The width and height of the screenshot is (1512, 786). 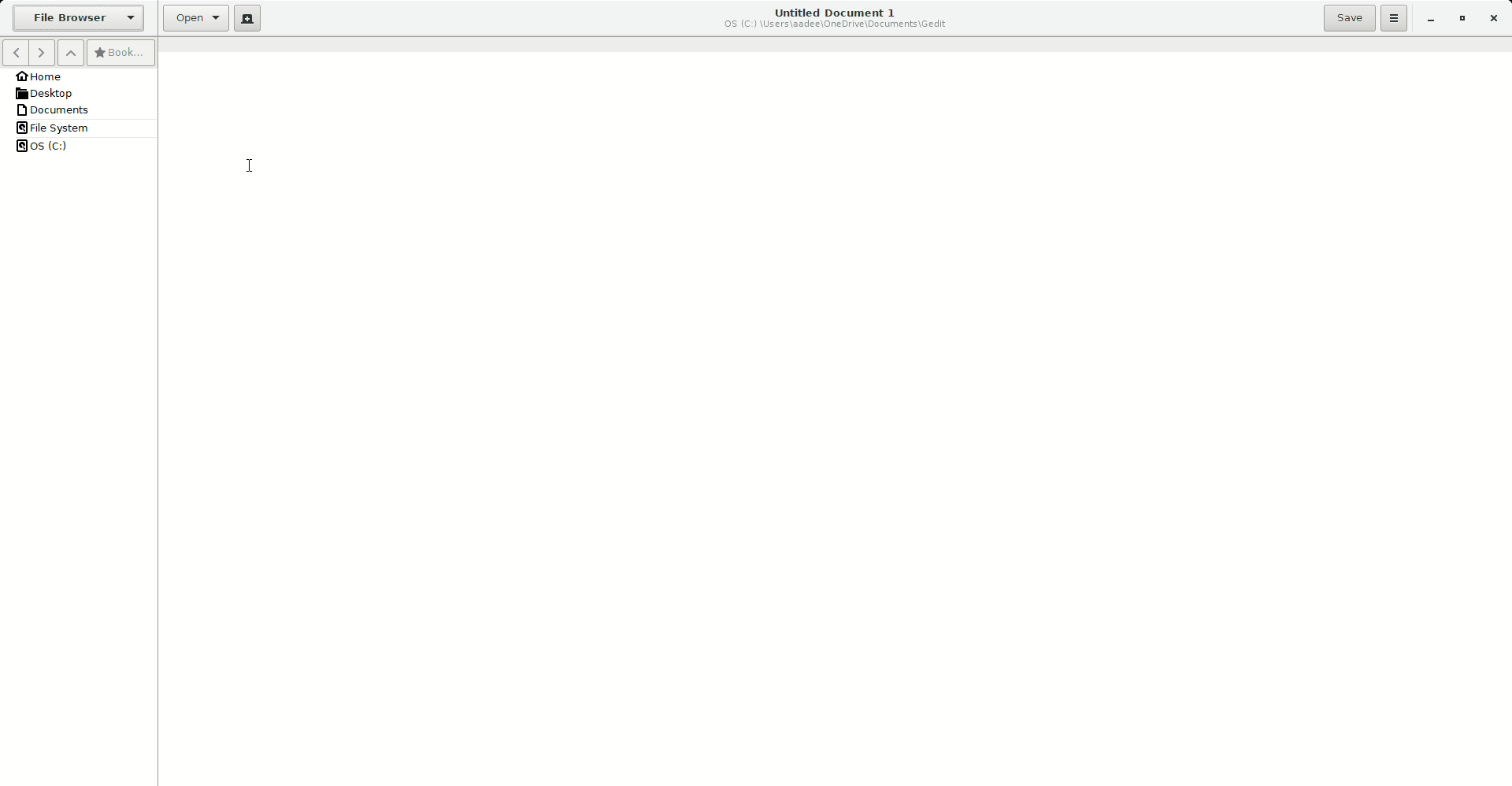 What do you see at coordinates (14, 53) in the screenshot?
I see `Back` at bounding box center [14, 53].